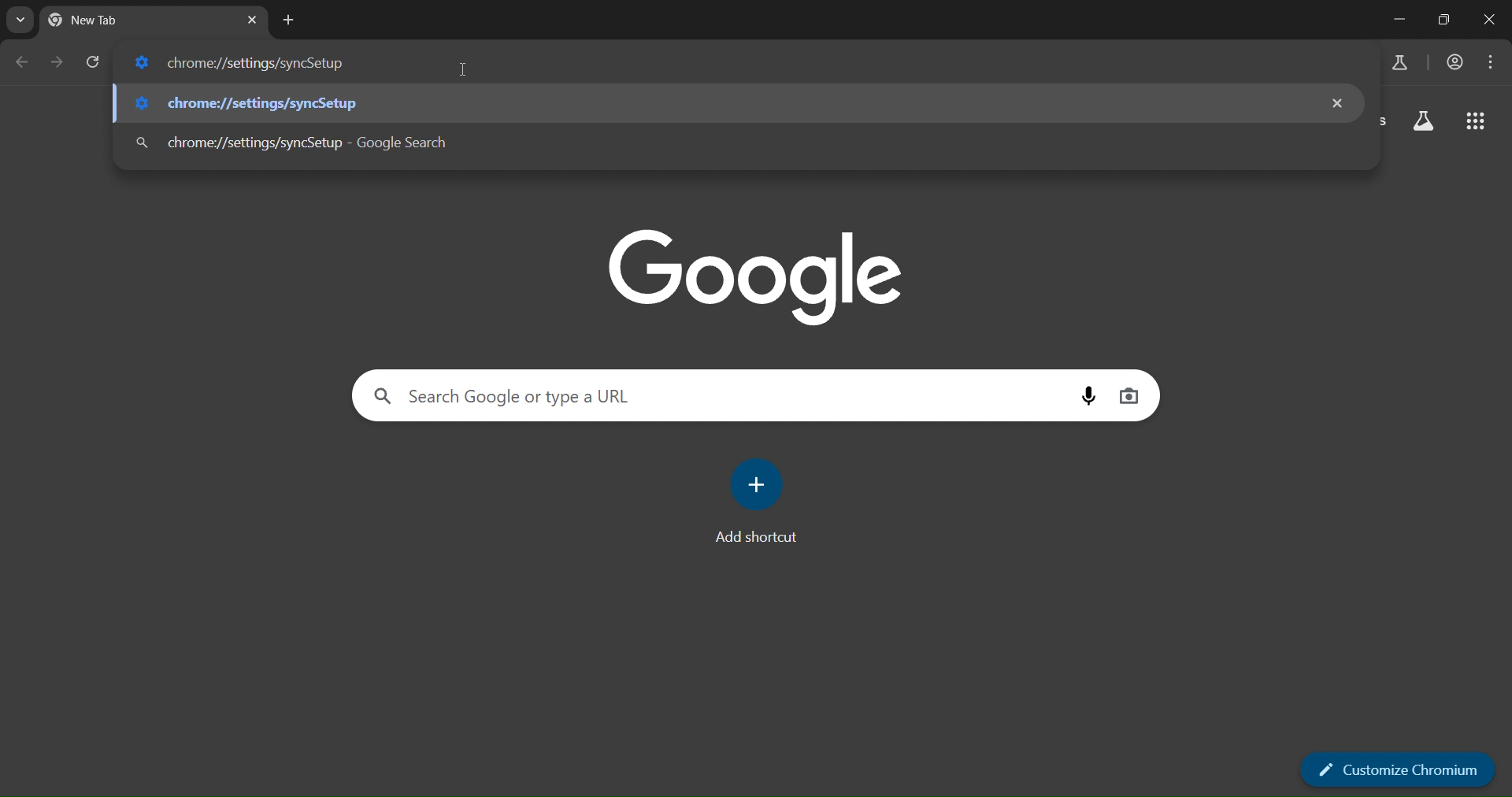 The height and width of the screenshot is (797, 1512). What do you see at coordinates (758, 502) in the screenshot?
I see `add shortcut` at bounding box center [758, 502].